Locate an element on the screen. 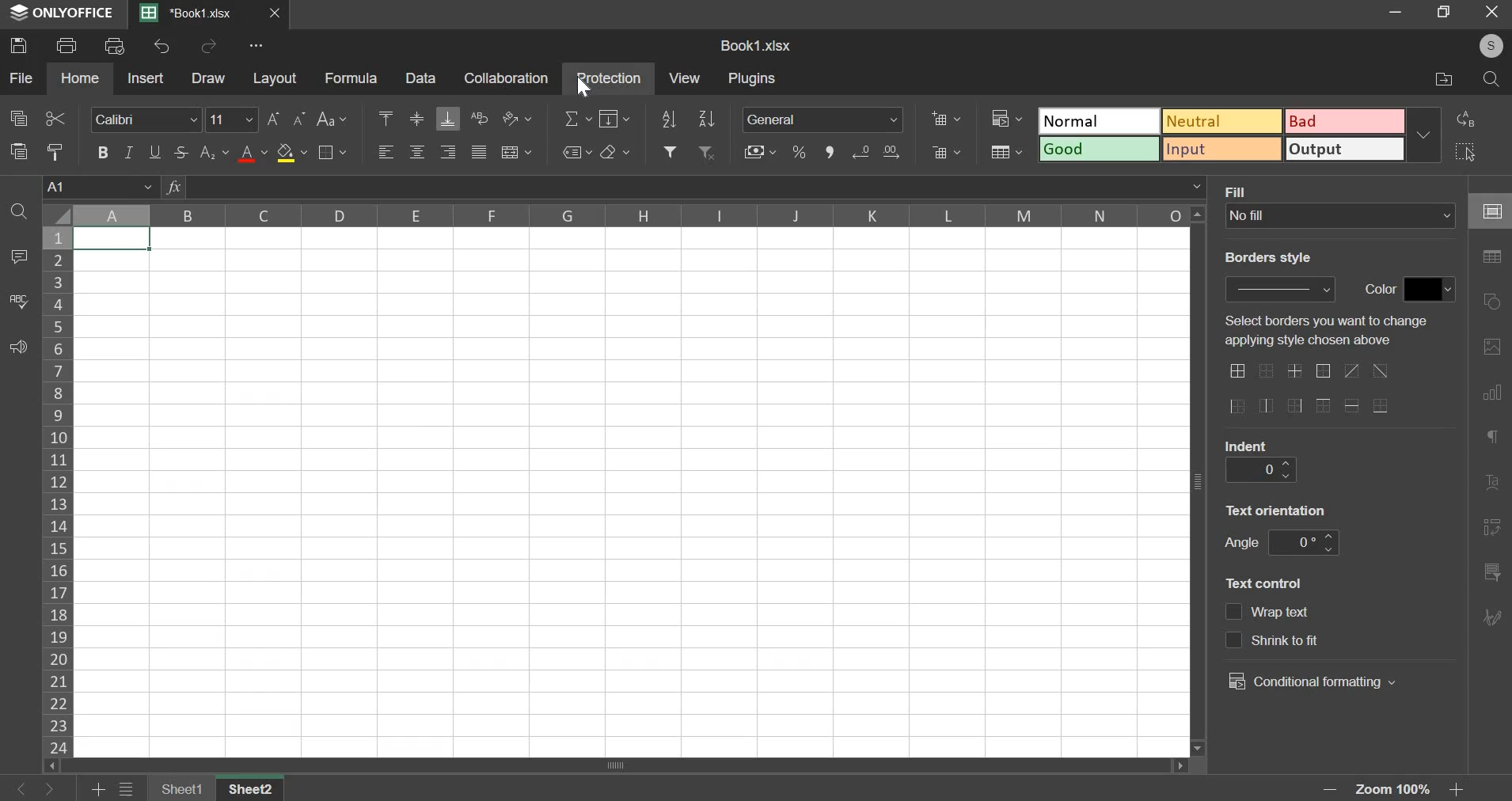  plugins is located at coordinates (754, 79).